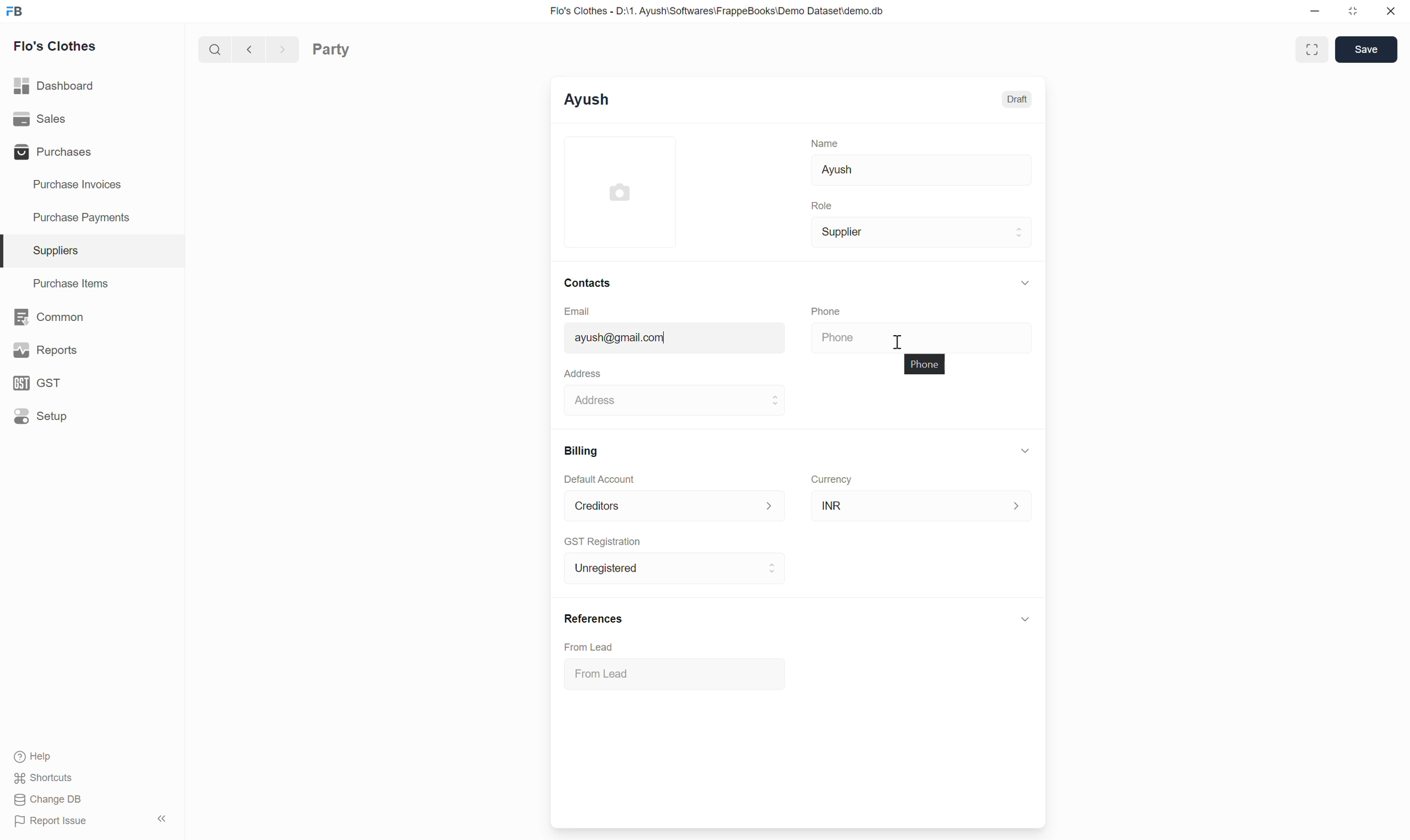  Describe the element at coordinates (922, 505) in the screenshot. I see `INR` at that location.